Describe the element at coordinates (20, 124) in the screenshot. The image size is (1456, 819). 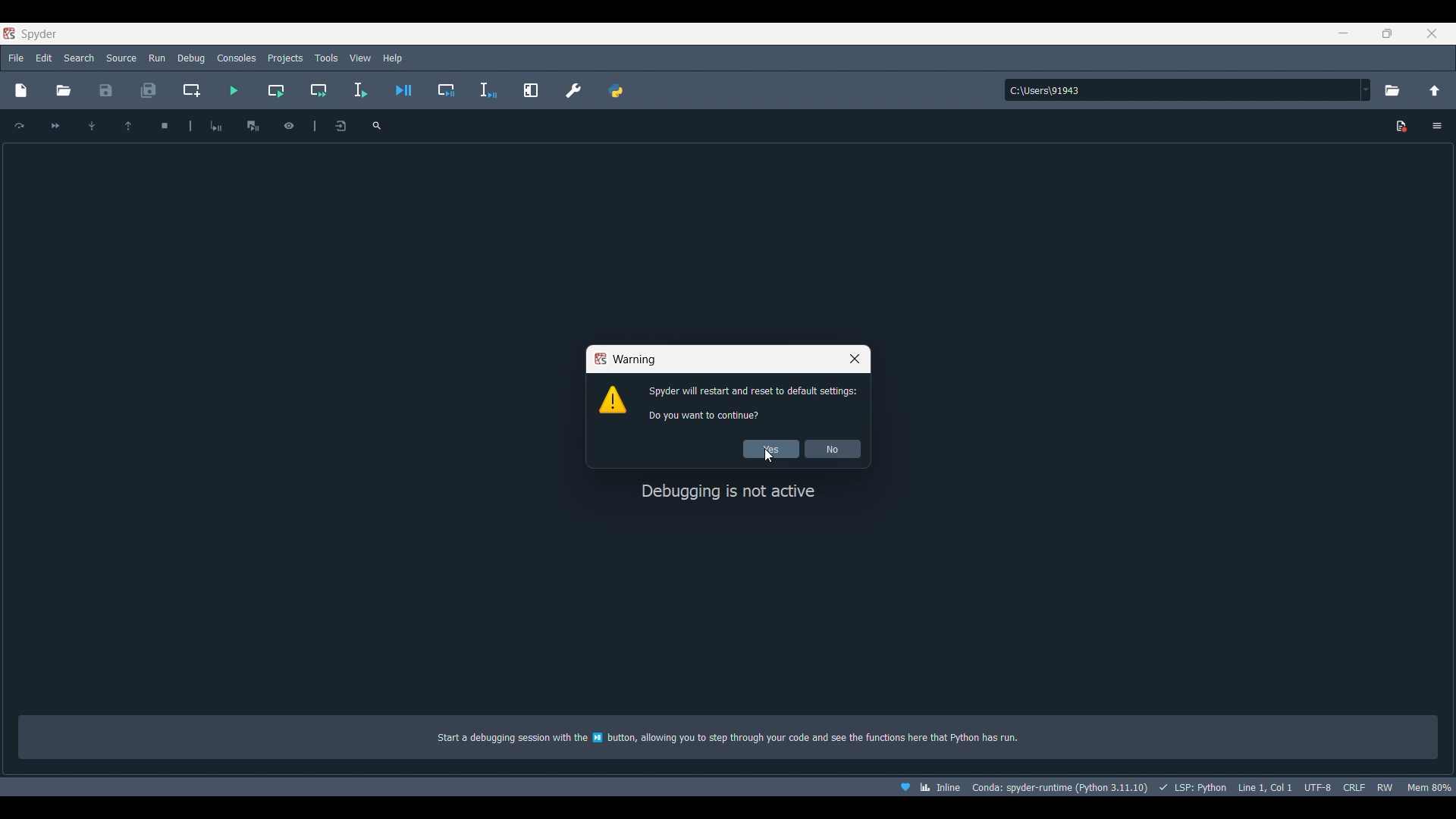
I see `reload` at that location.